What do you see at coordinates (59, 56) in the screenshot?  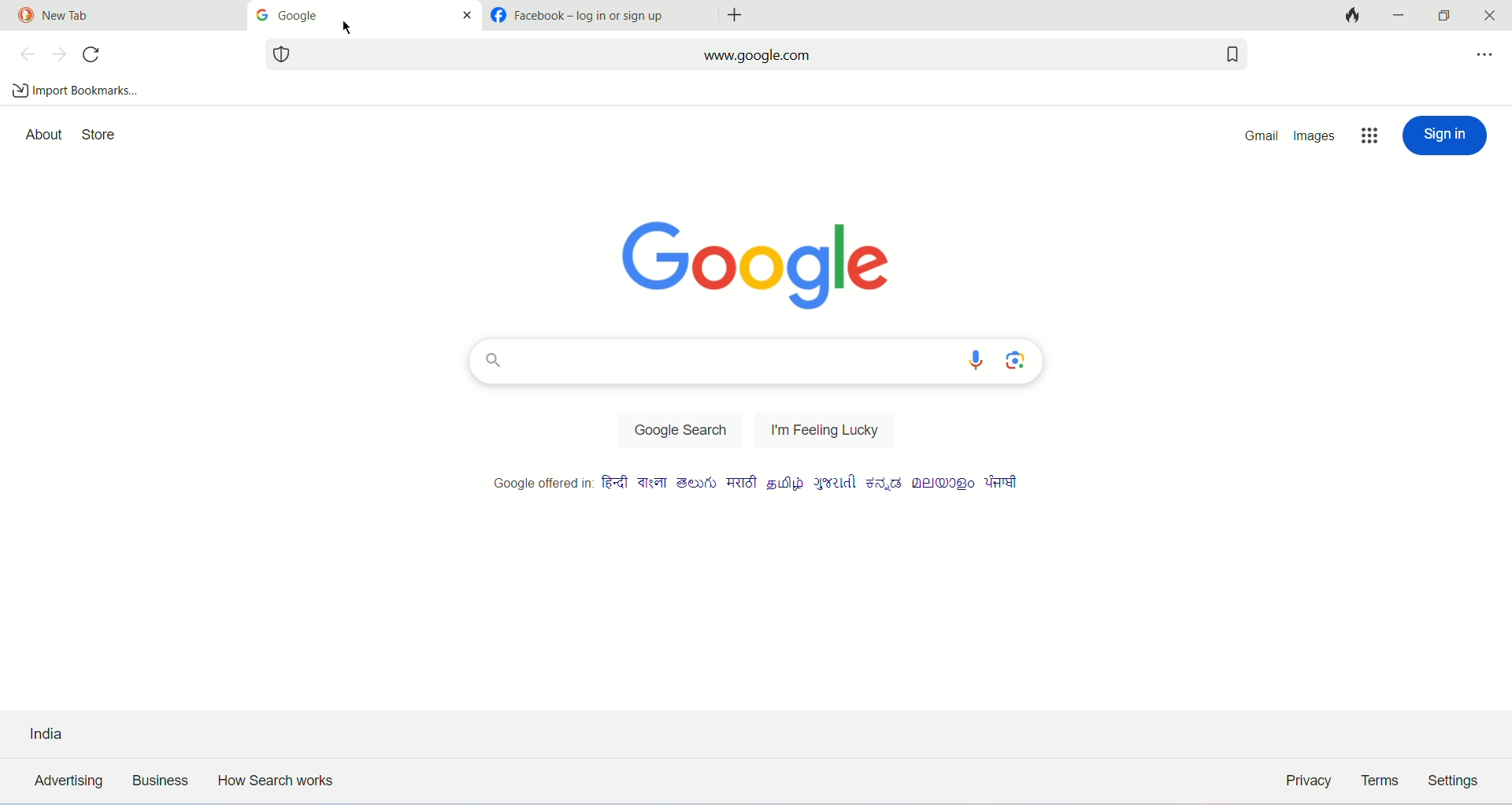 I see `next` at bounding box center [59, 56].